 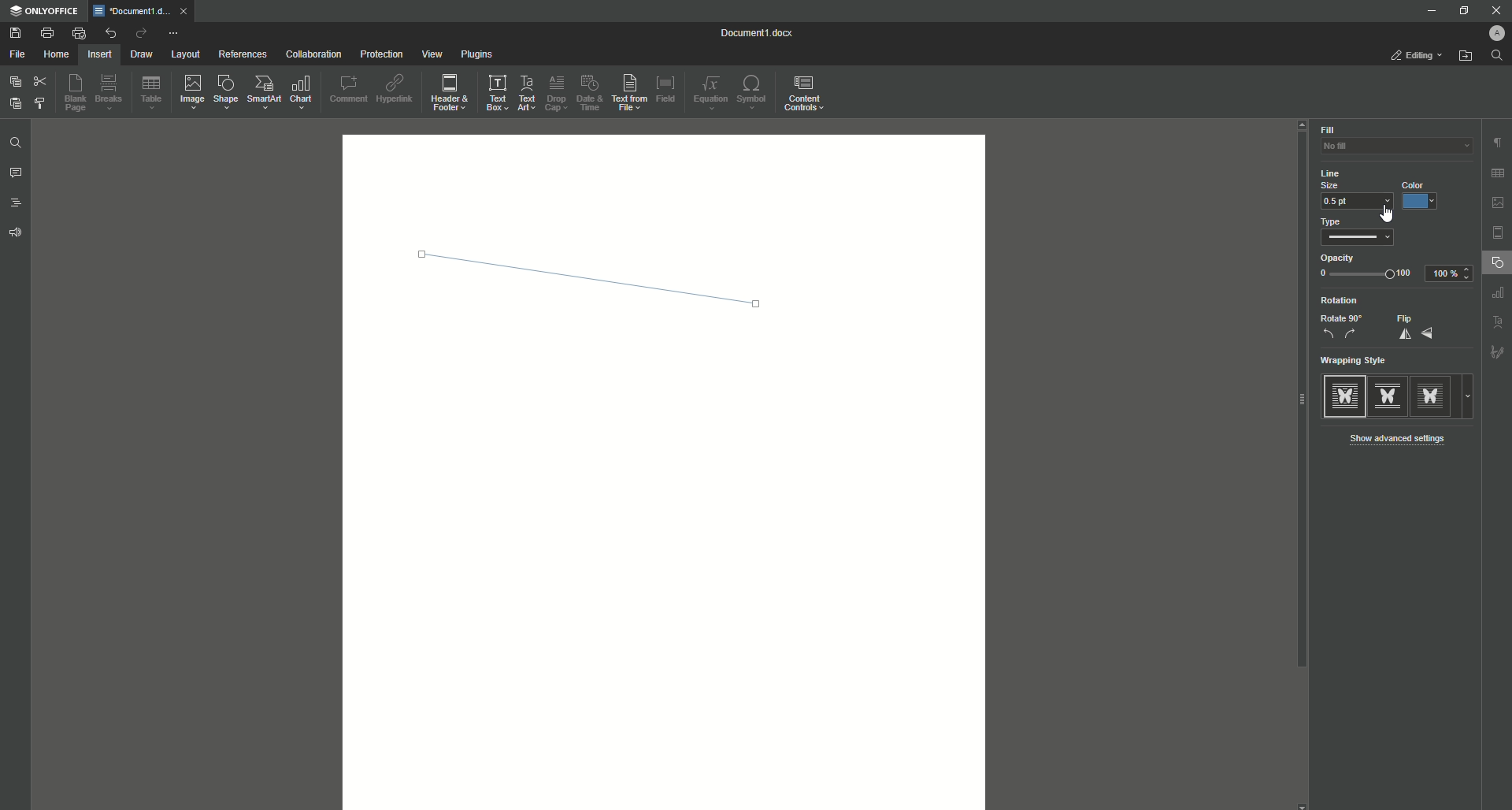 I want to click on Restore, so click(x=1458, y=11).